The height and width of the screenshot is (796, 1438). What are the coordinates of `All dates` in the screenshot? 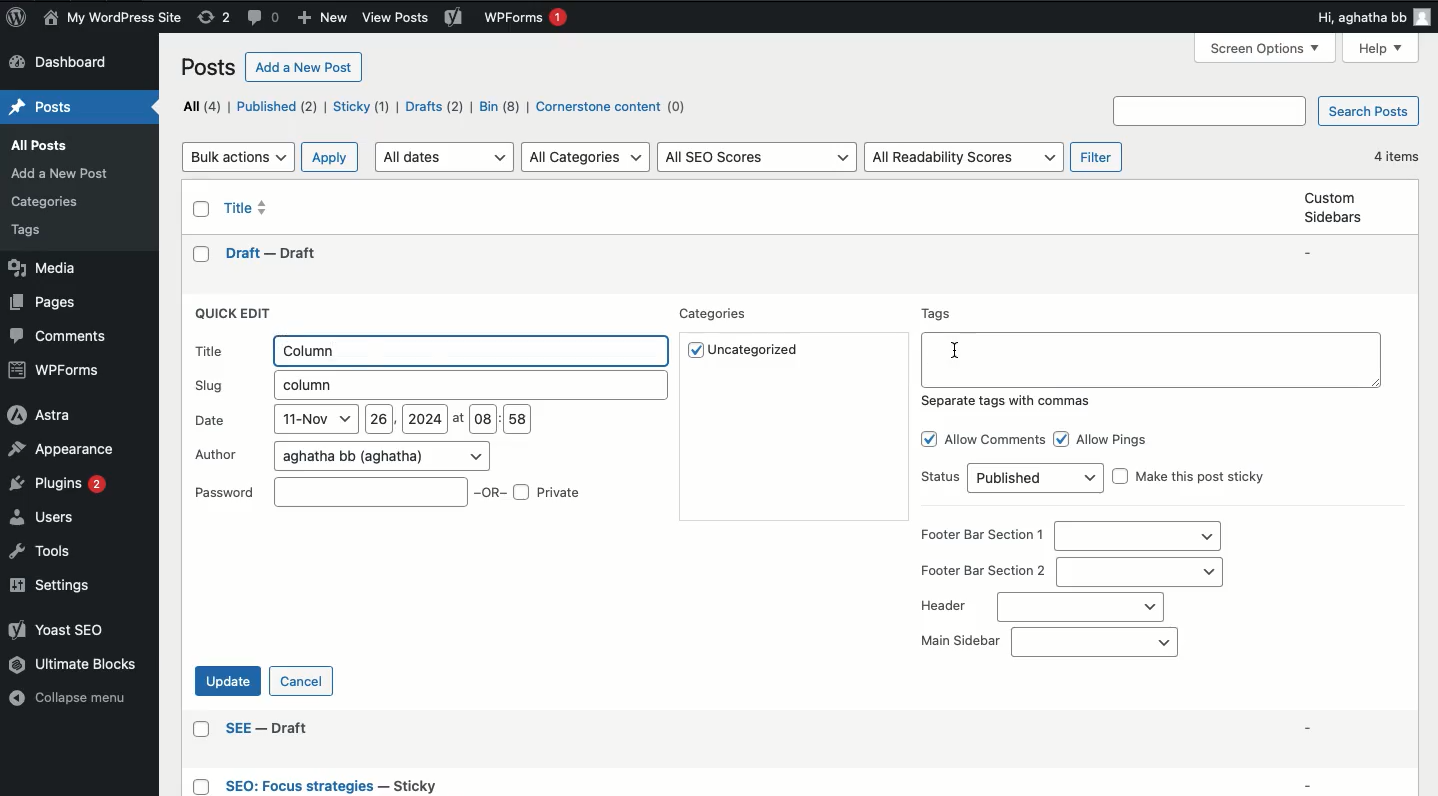 It's located at (447, 156).